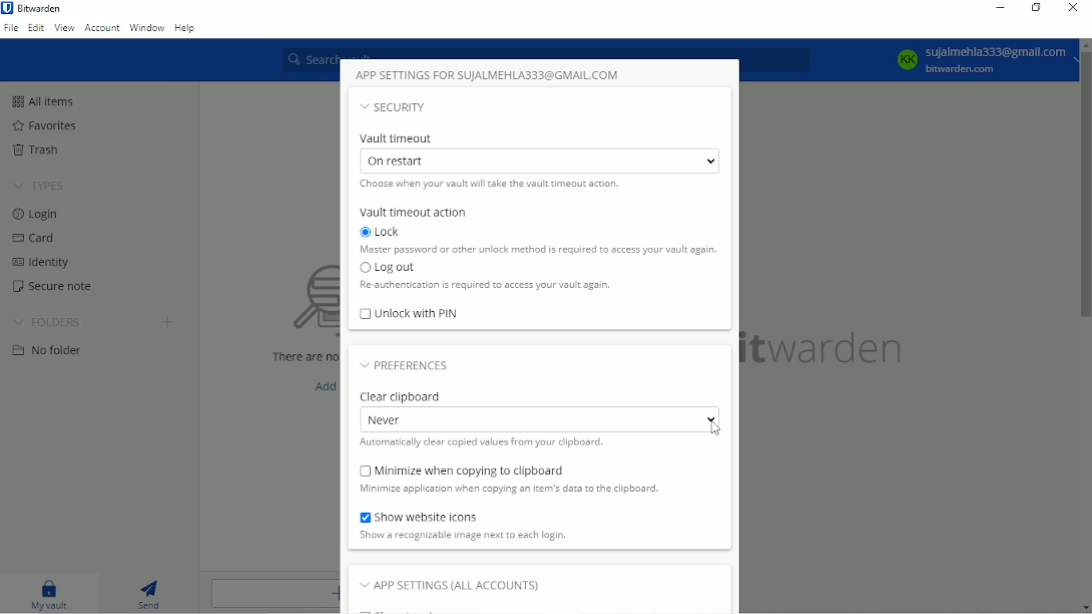  What do you see at coordinates (40, 214) in the screenshot?
I see `Login` at bounding box center [40, 214].